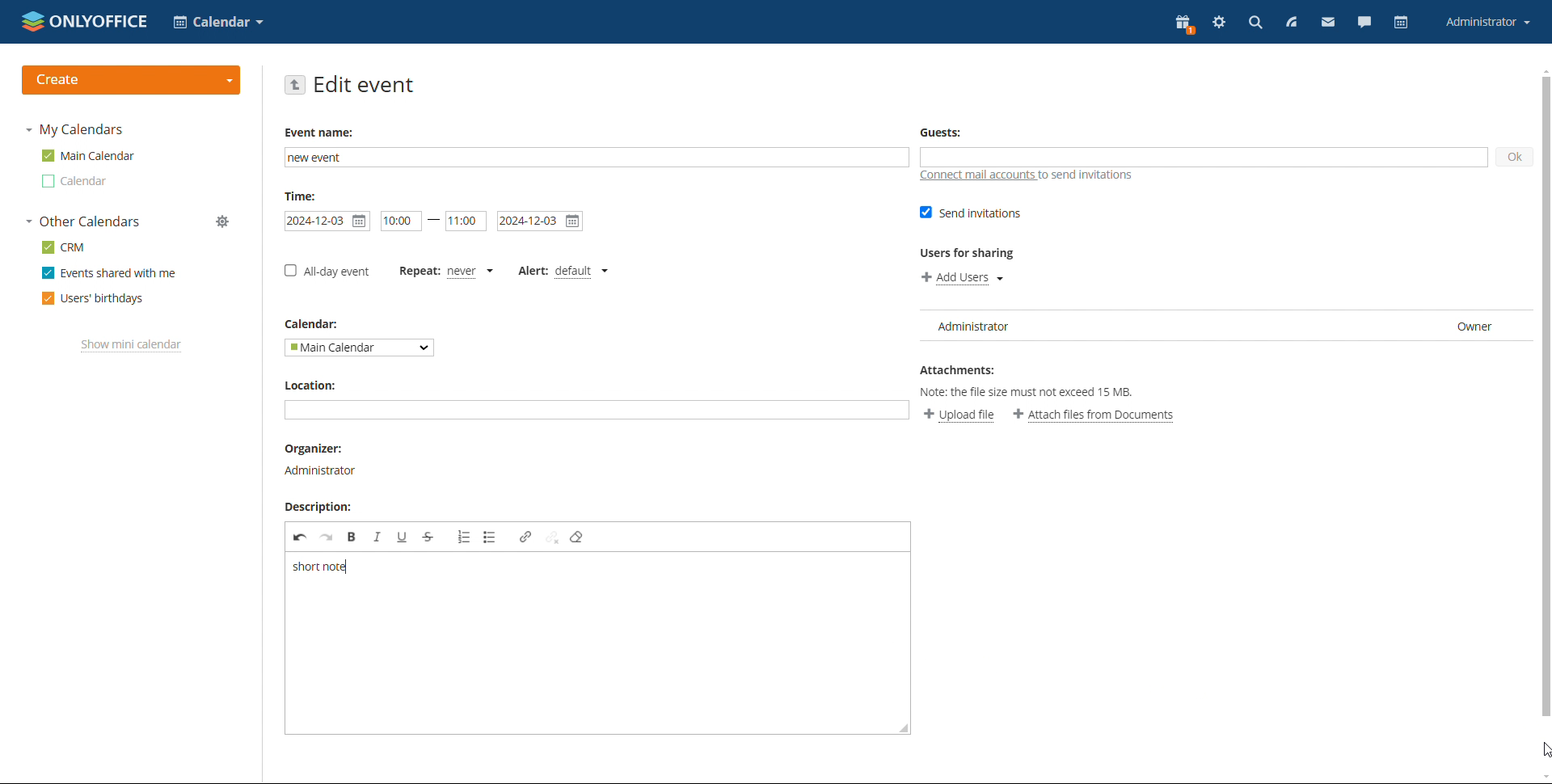 This screenshot has width=1552, height=784. I want to click on main calendar, so click(89, 155).